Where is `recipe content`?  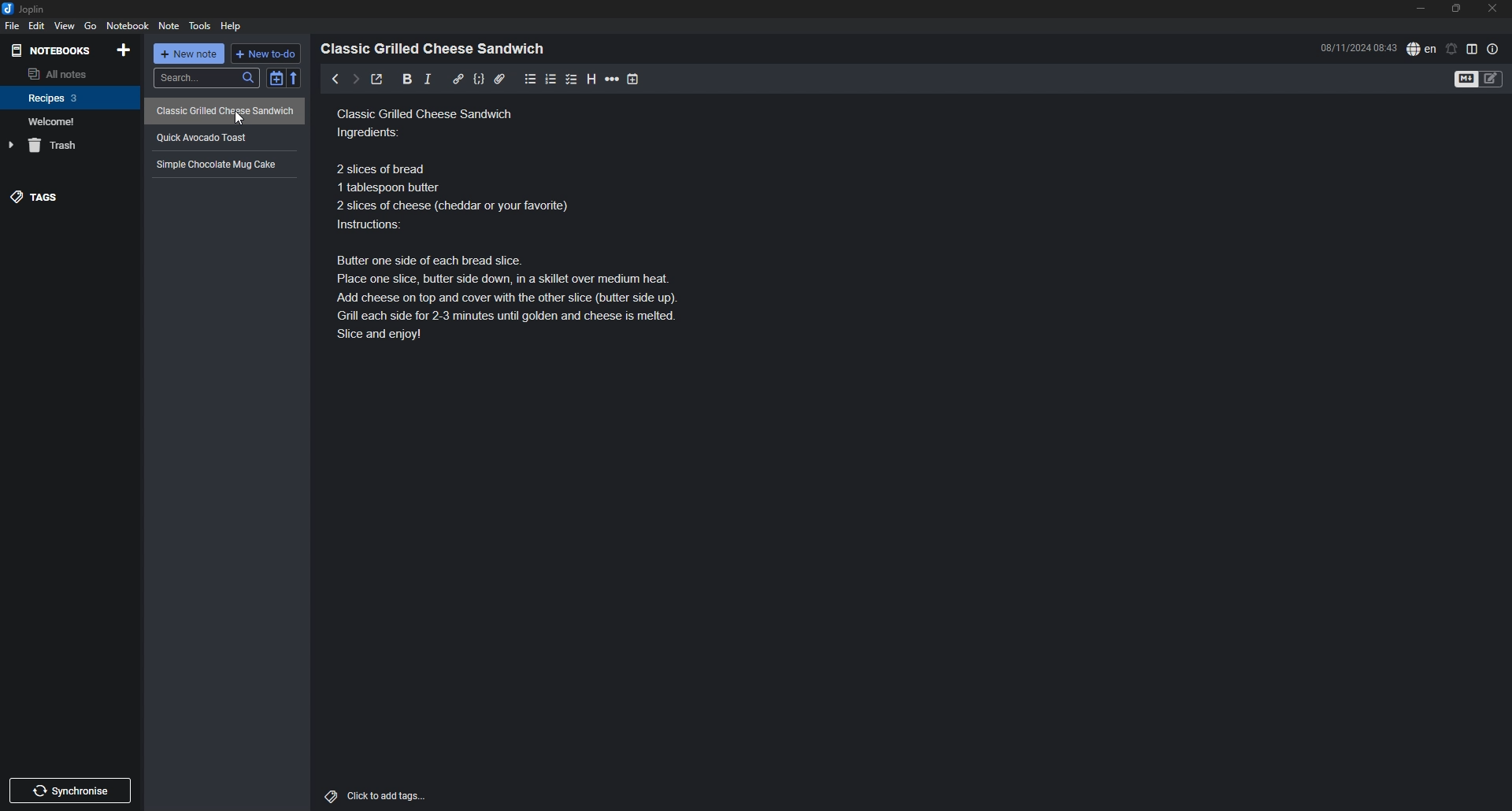 recipe content is located at coordinates (506, 220).